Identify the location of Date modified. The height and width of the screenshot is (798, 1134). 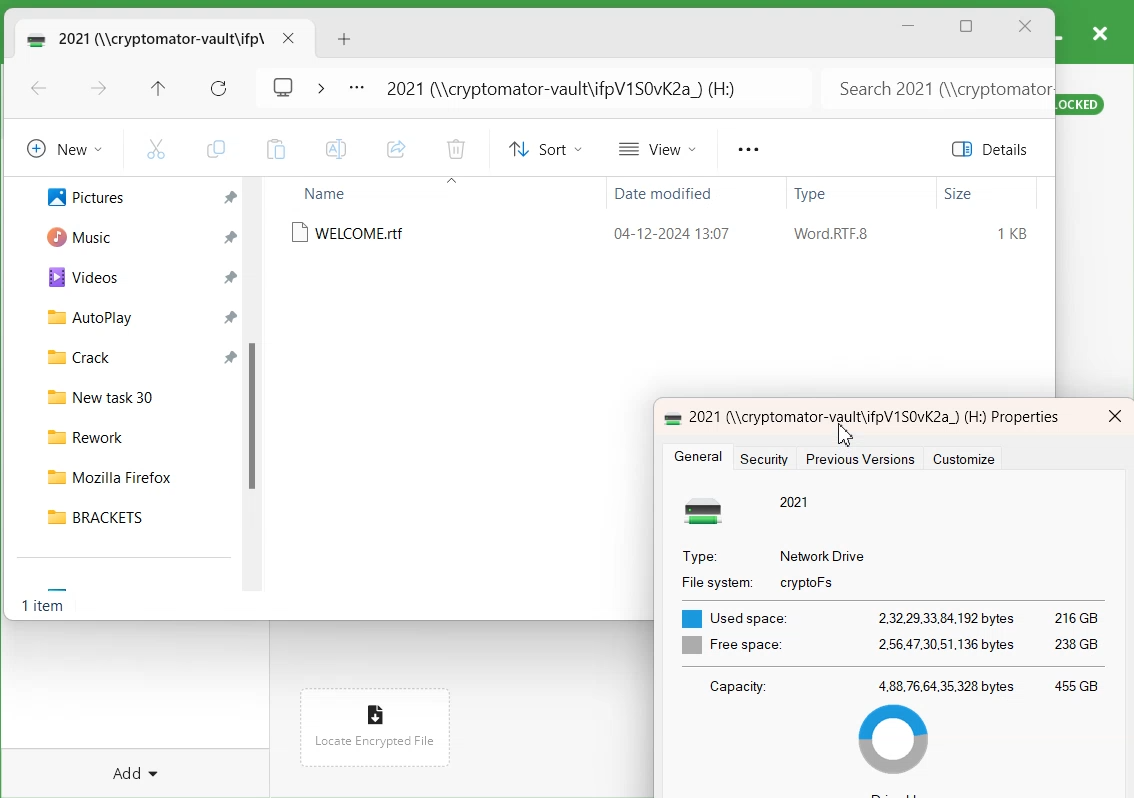
(659, 196).